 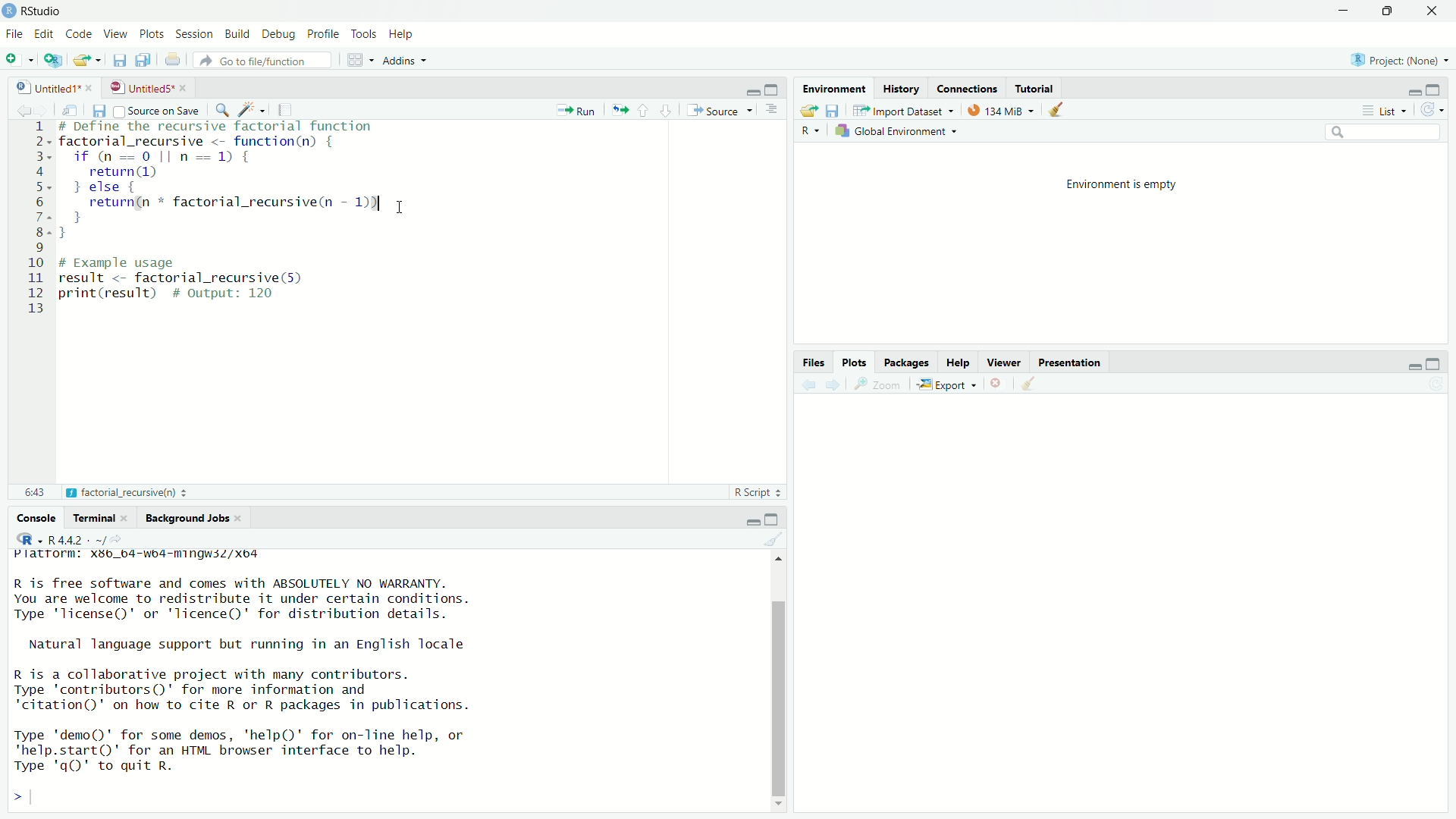 What do you see at coordinates (718, 109) in the screenshot?
I see `Source` at bounding box center [718, 109].